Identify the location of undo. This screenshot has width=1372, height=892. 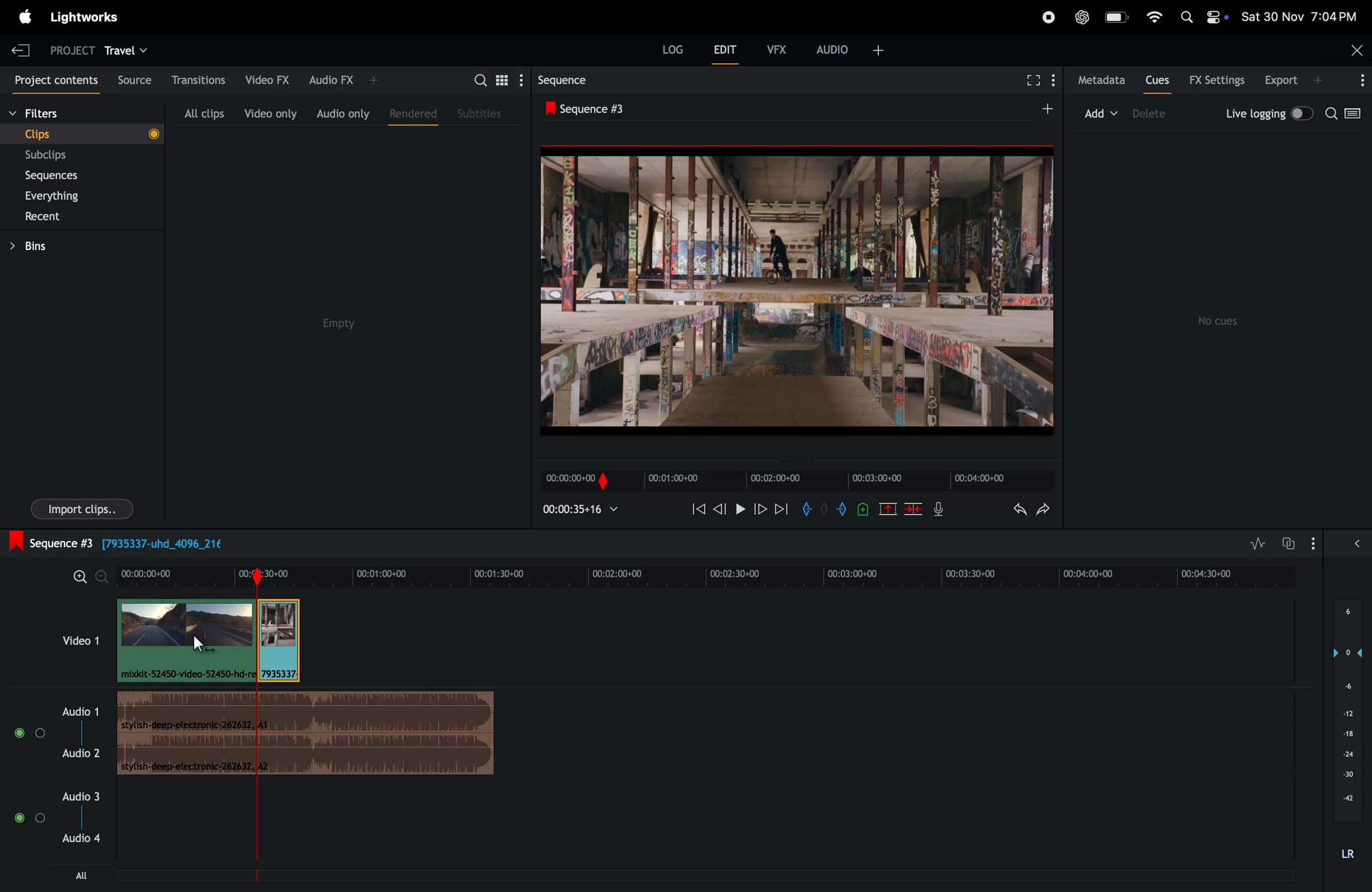
(1011, 508).